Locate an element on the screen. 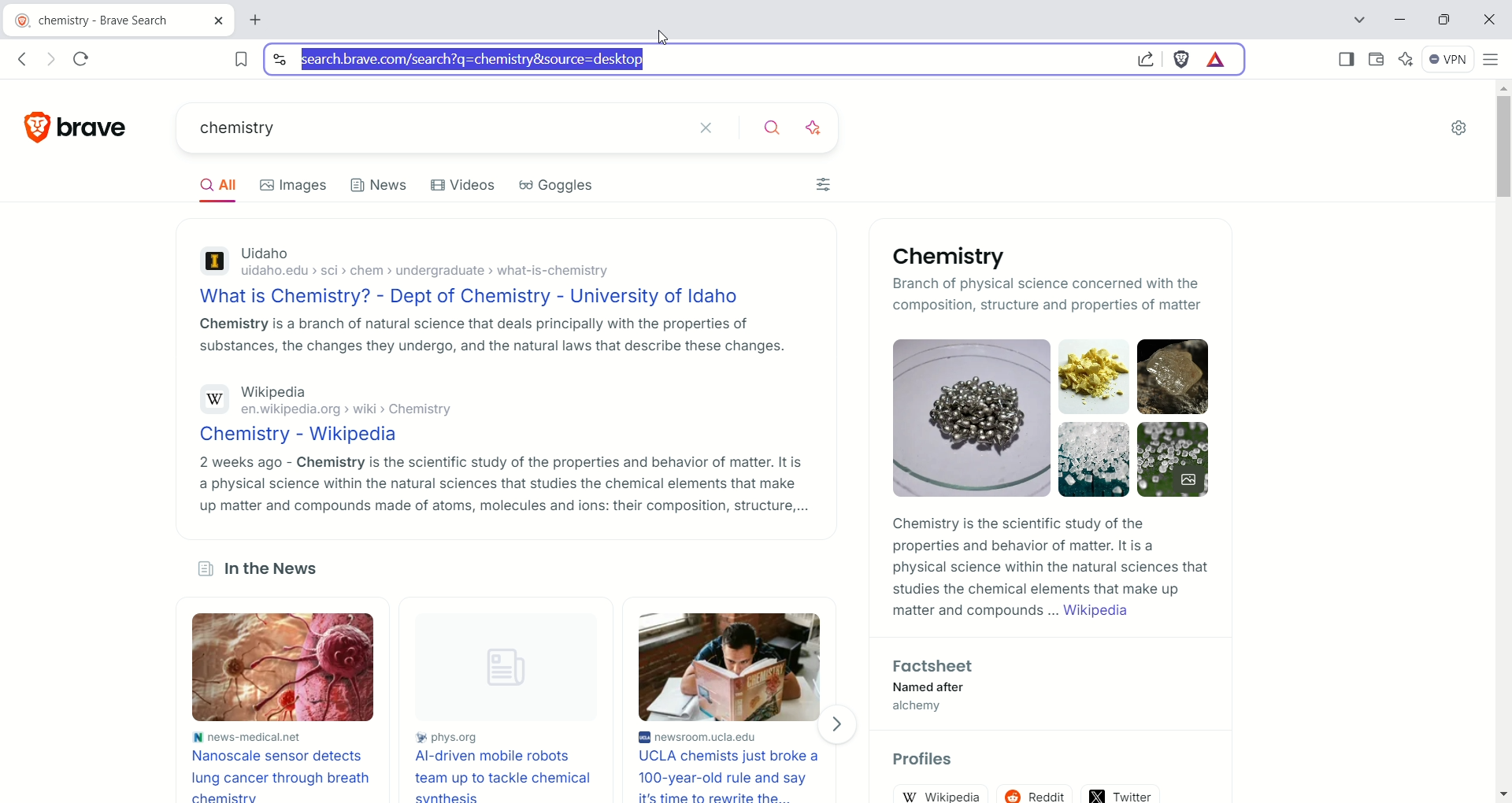 This screenshot has height=803, width=1512. search is located at coordinates (437, 129).